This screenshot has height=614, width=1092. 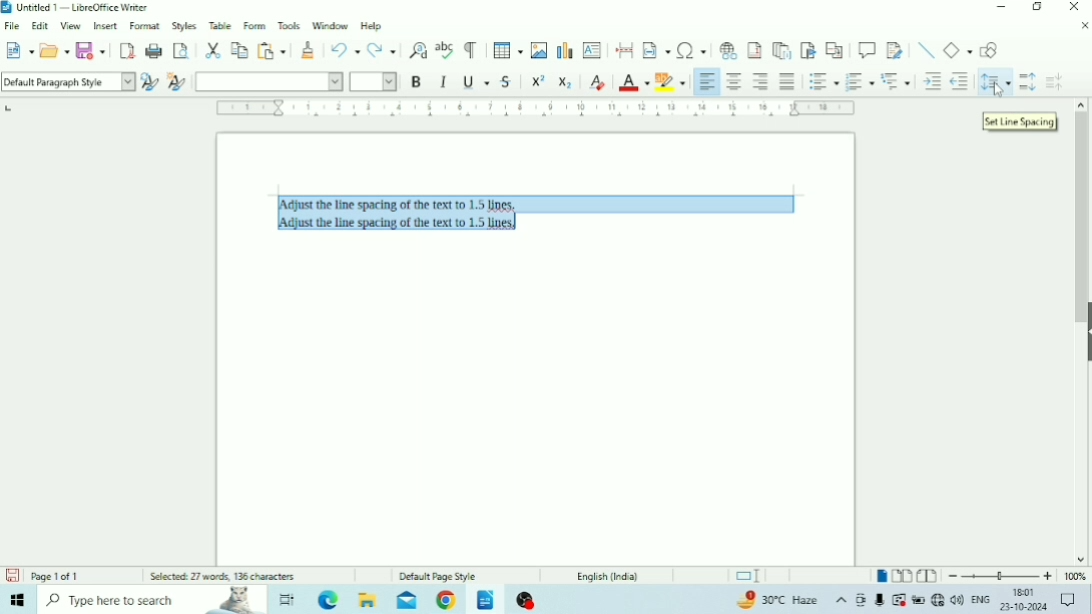 I want to click on Insert Hyperlink, so click(x=728, y=49).